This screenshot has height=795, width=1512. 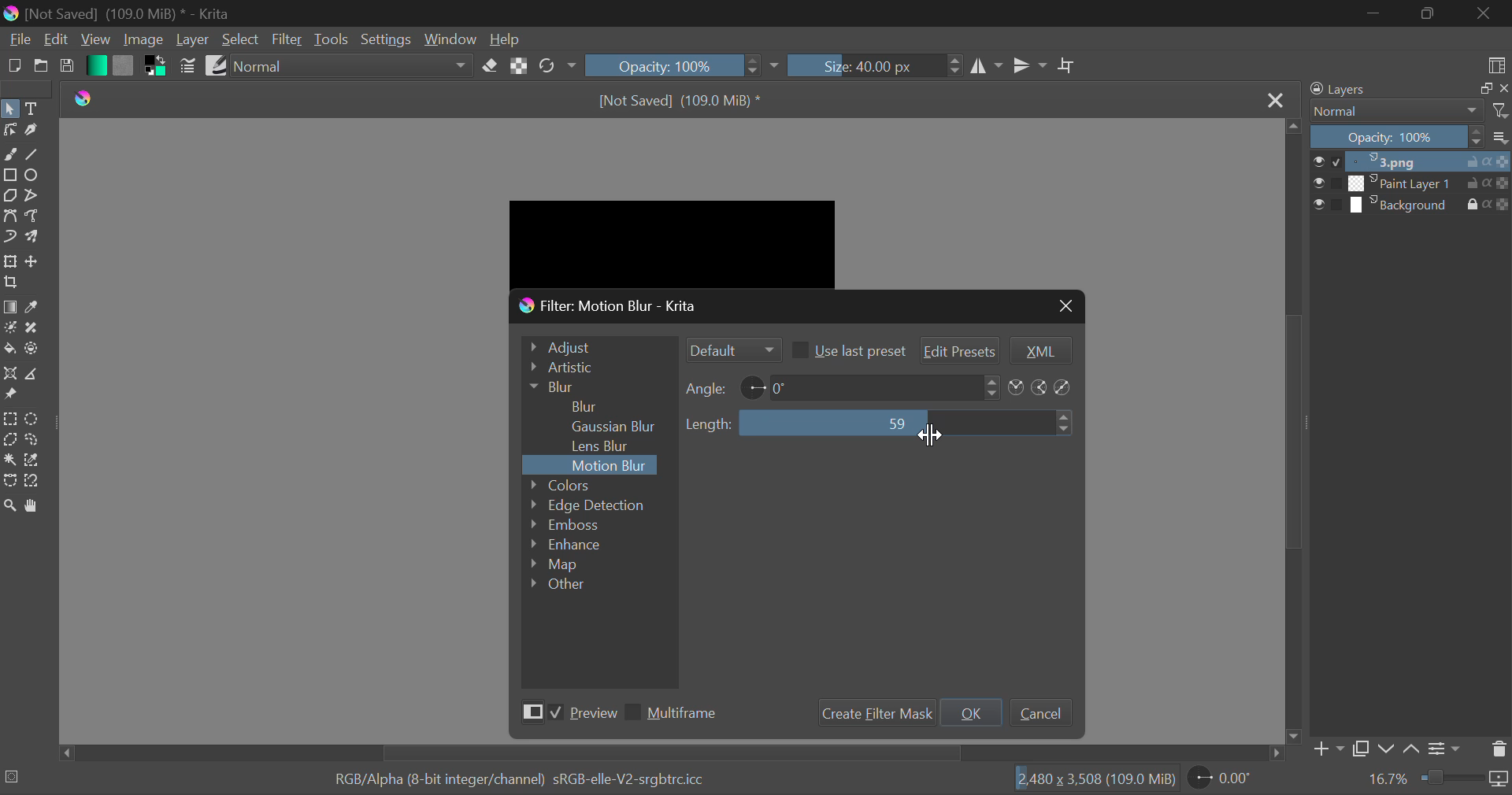 I want to click on Continuous Selection Tool, so click(x=9, y=460).